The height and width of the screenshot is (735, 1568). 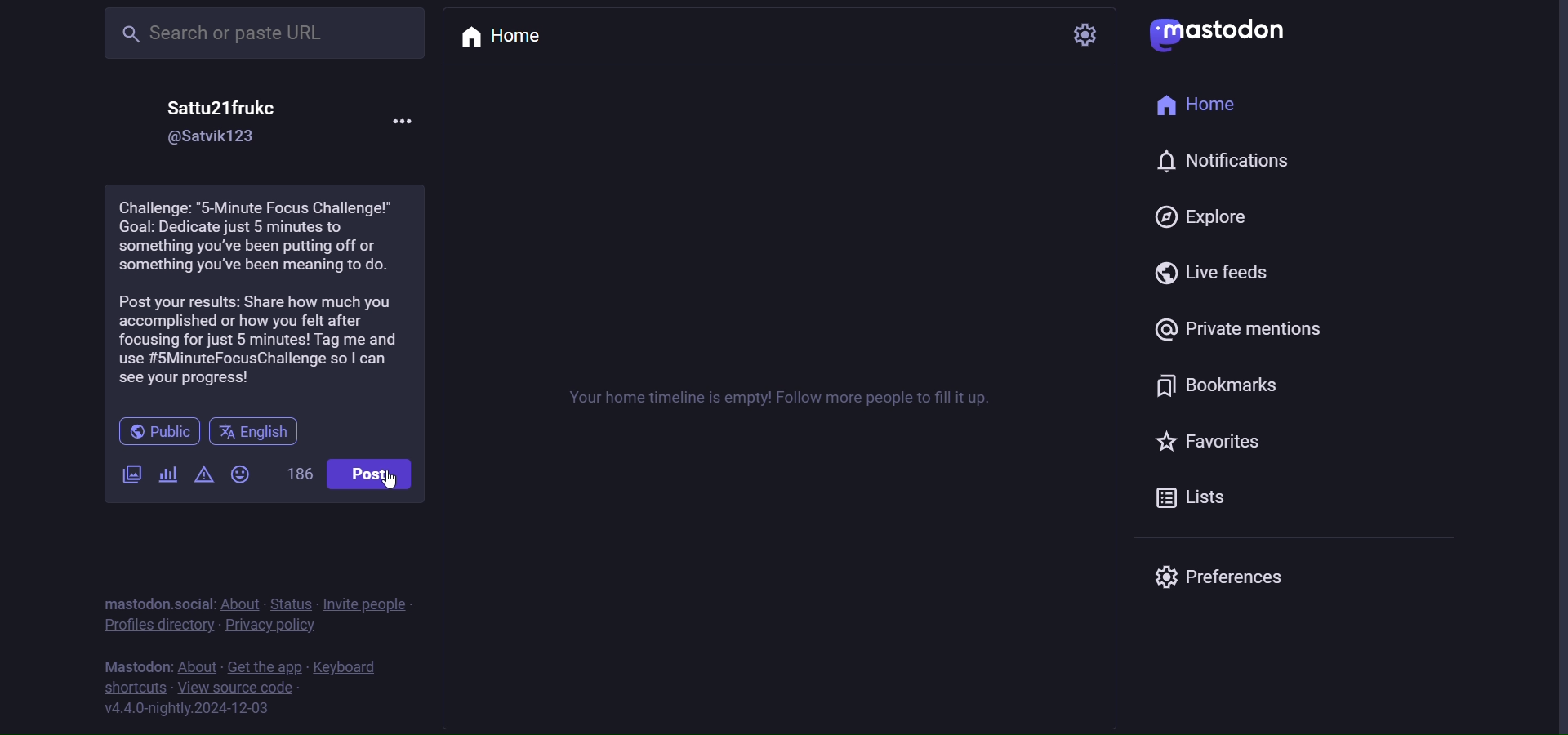 I want to click on preferences, so click(x=1226, y=579).